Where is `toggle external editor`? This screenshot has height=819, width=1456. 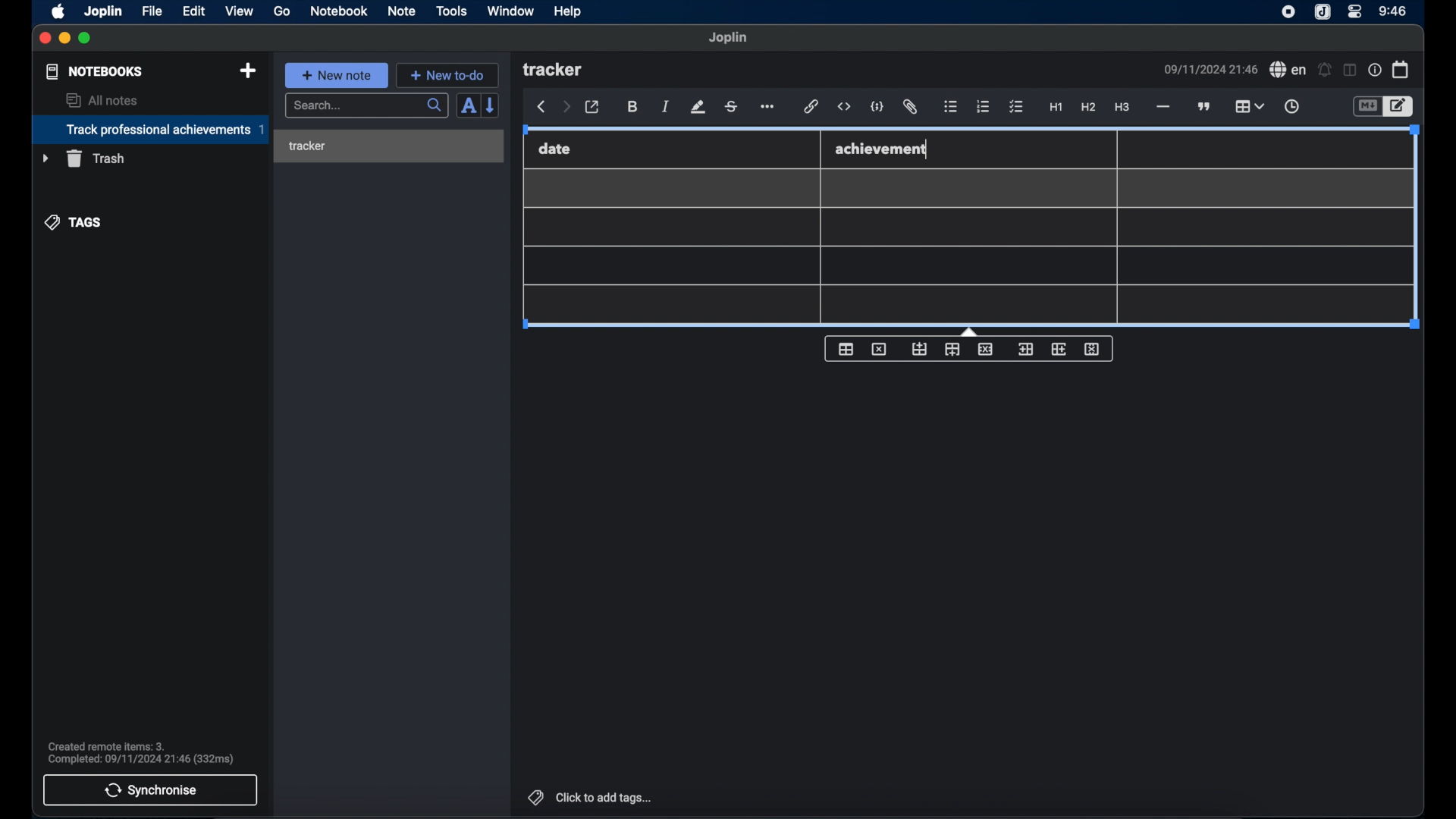 toggle external editor is located at coordinates (592, 107).